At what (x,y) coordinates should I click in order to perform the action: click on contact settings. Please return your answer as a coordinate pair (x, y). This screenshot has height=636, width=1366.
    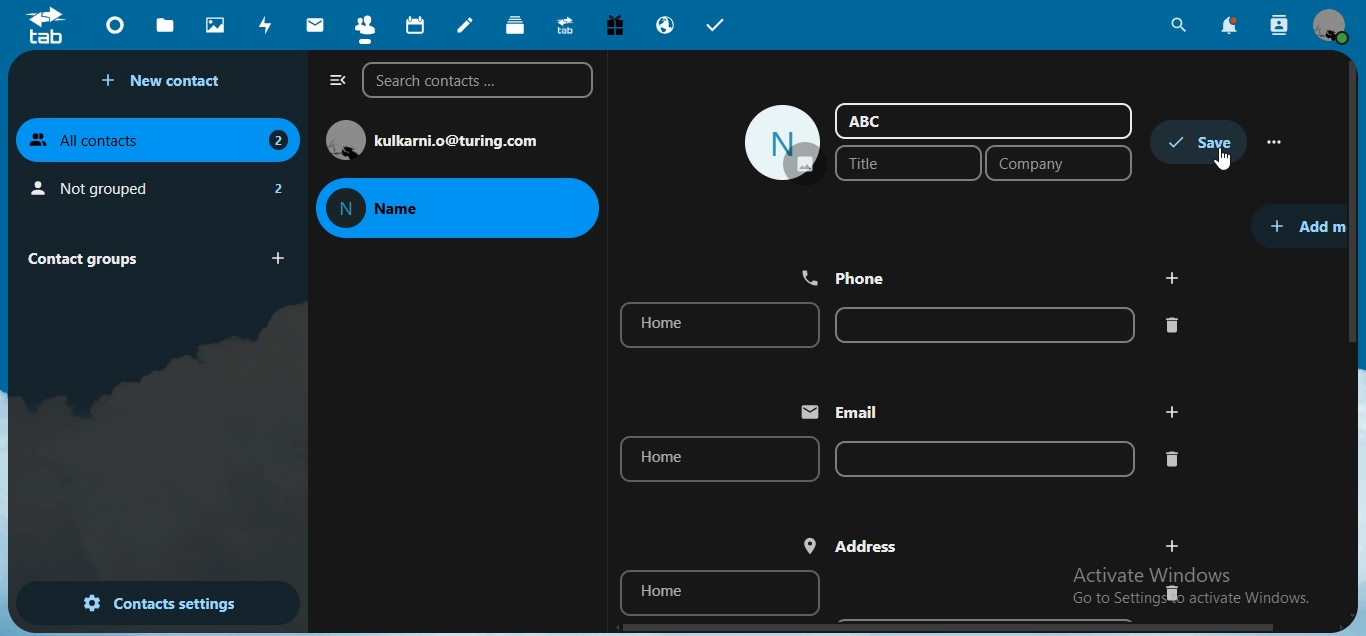
    Looking at the image, I should click on (145, 601).